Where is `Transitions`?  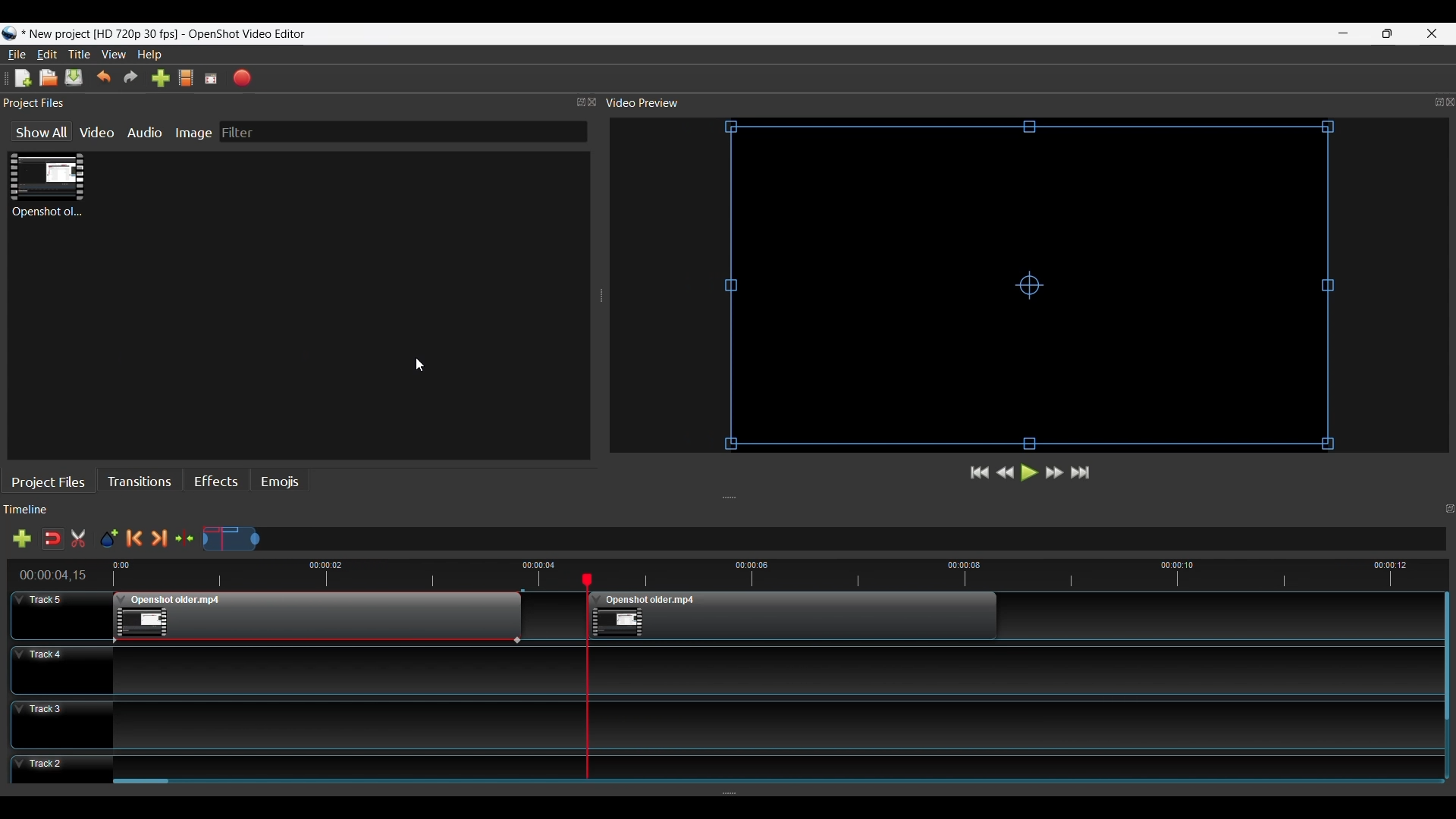
Transitions is located at coordinates (143, 481).